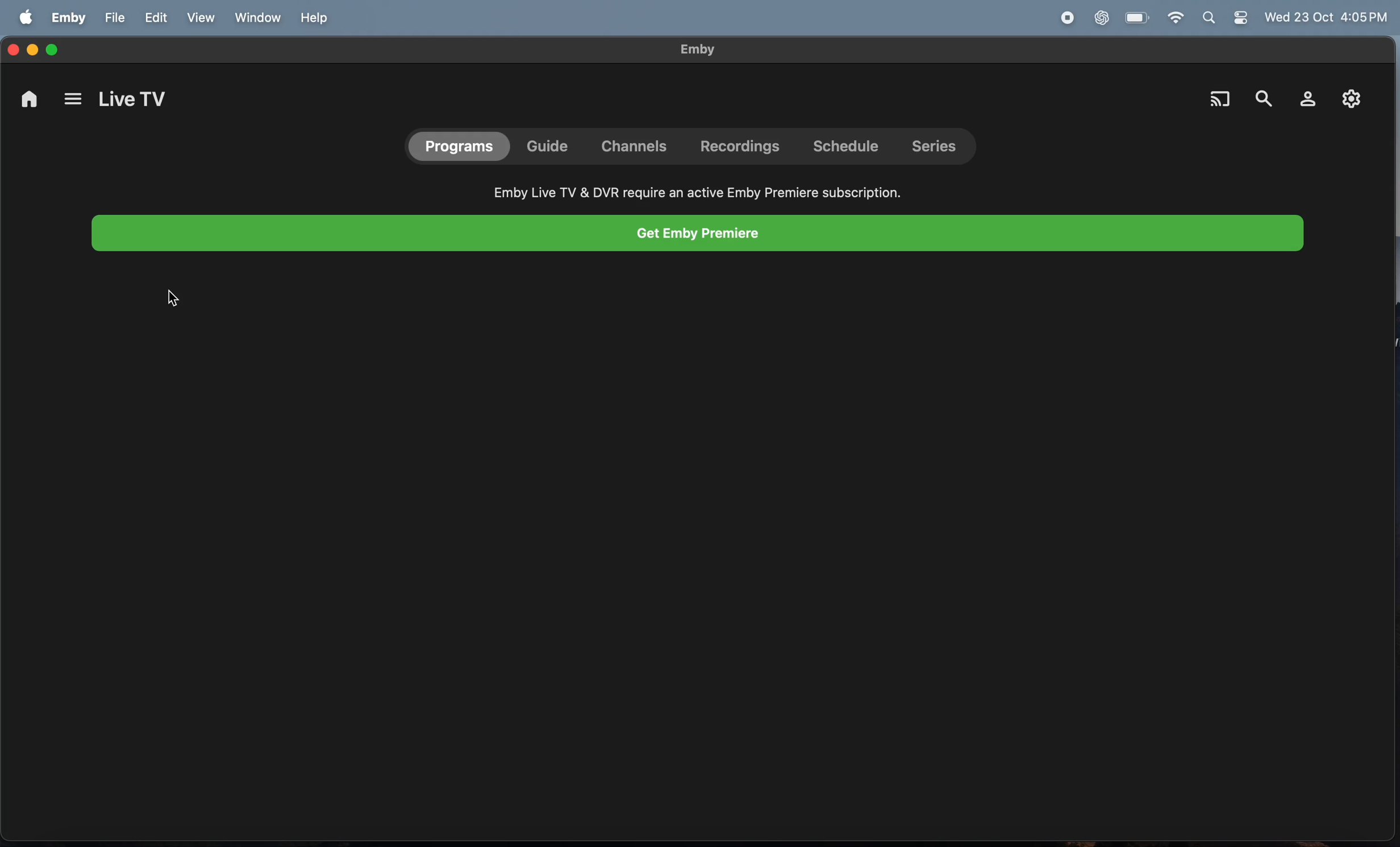  Describe the element at coordinates (459, 146) in the screenshot. I see `programs` at that location.